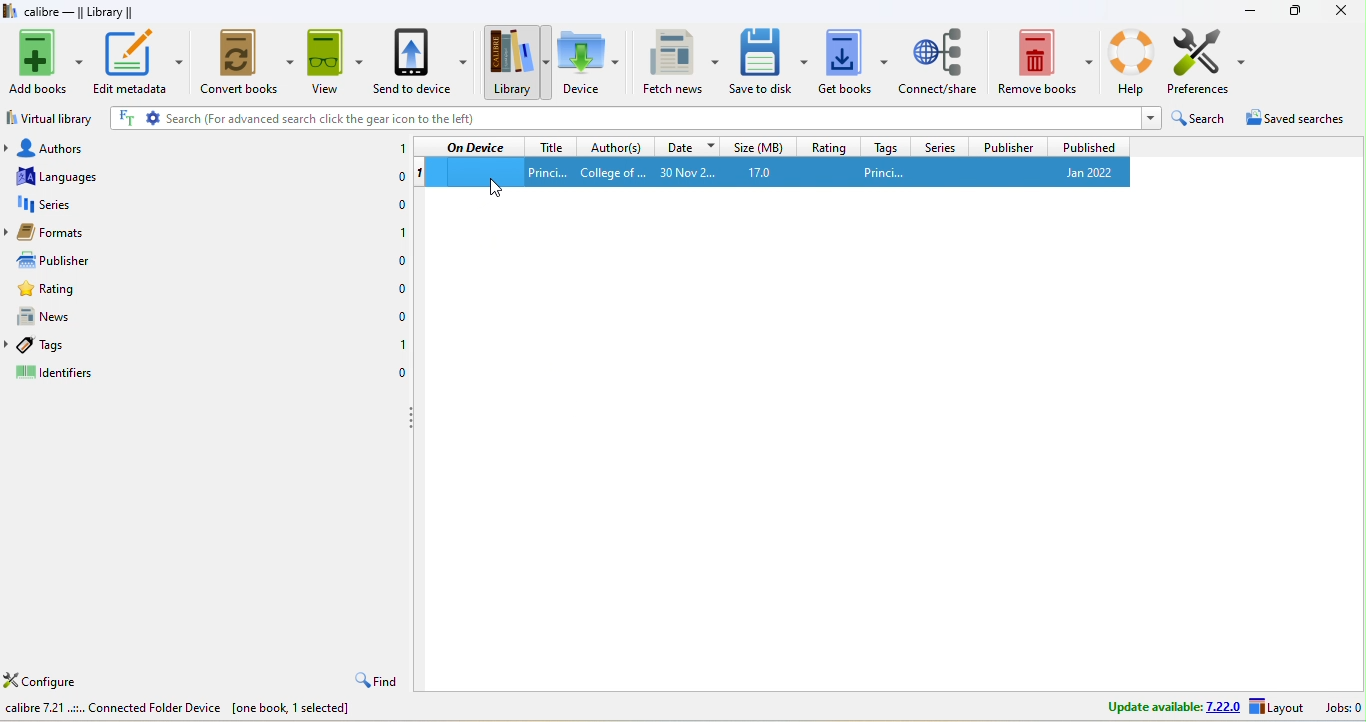 The height and width of the screenshot is (722, 1366). Describe the element at coordinates (940, 59) in the screenshot. I see `connect/share` at that location.